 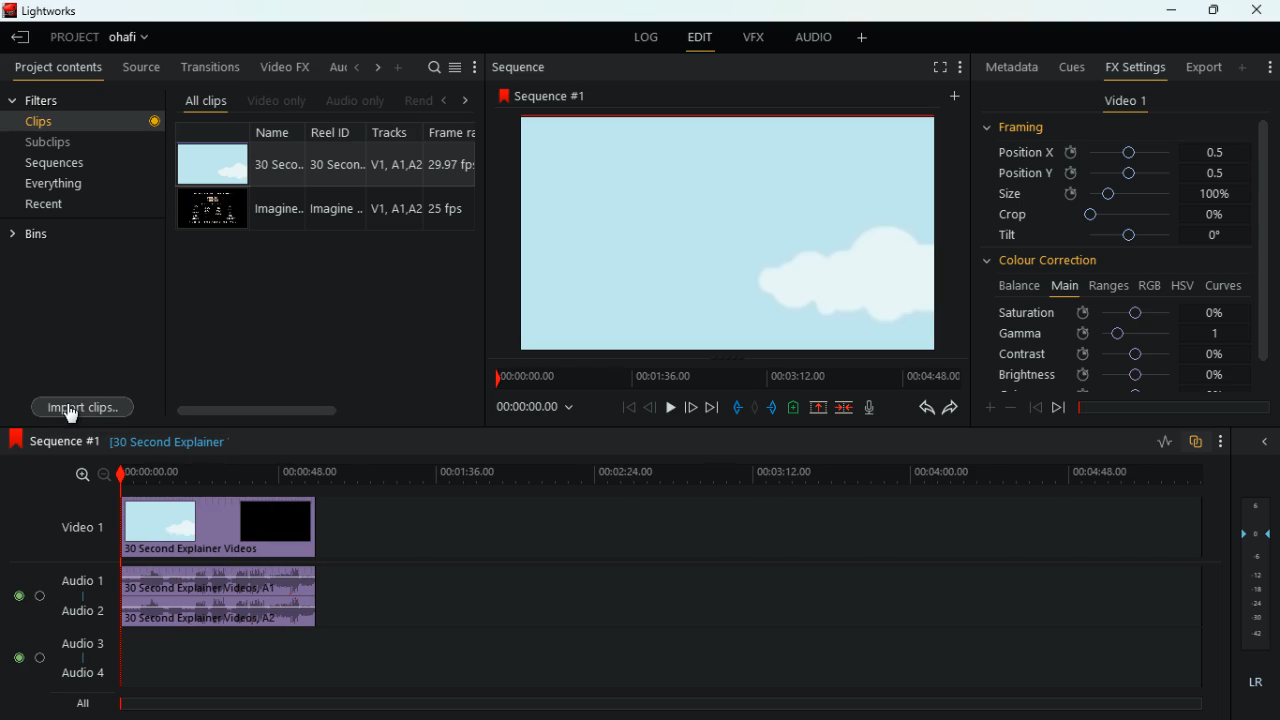 I want to click on import clips, so click(x=86, y=404).